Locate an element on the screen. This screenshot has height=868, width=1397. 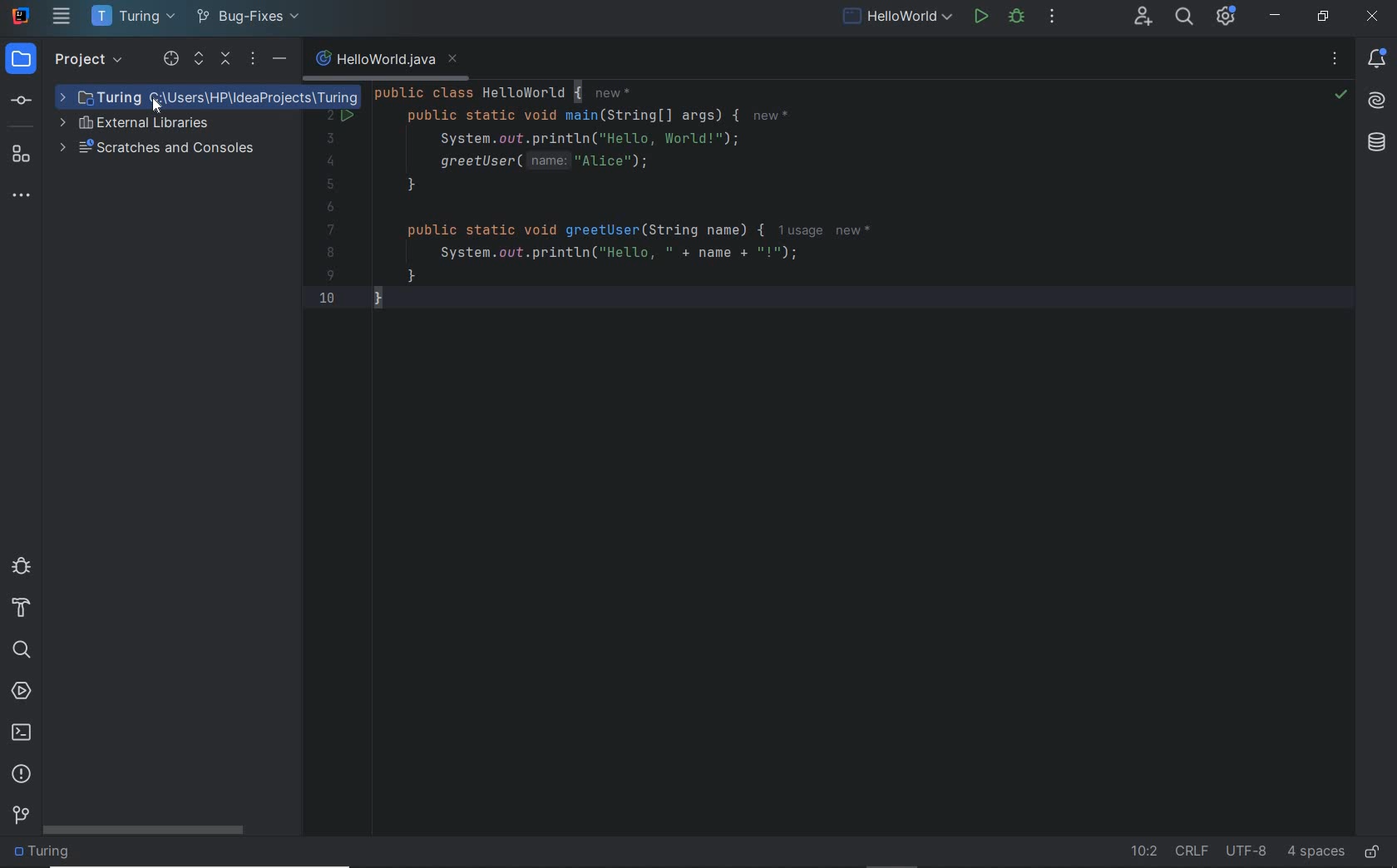
database is located at coordinates (1377, 143).